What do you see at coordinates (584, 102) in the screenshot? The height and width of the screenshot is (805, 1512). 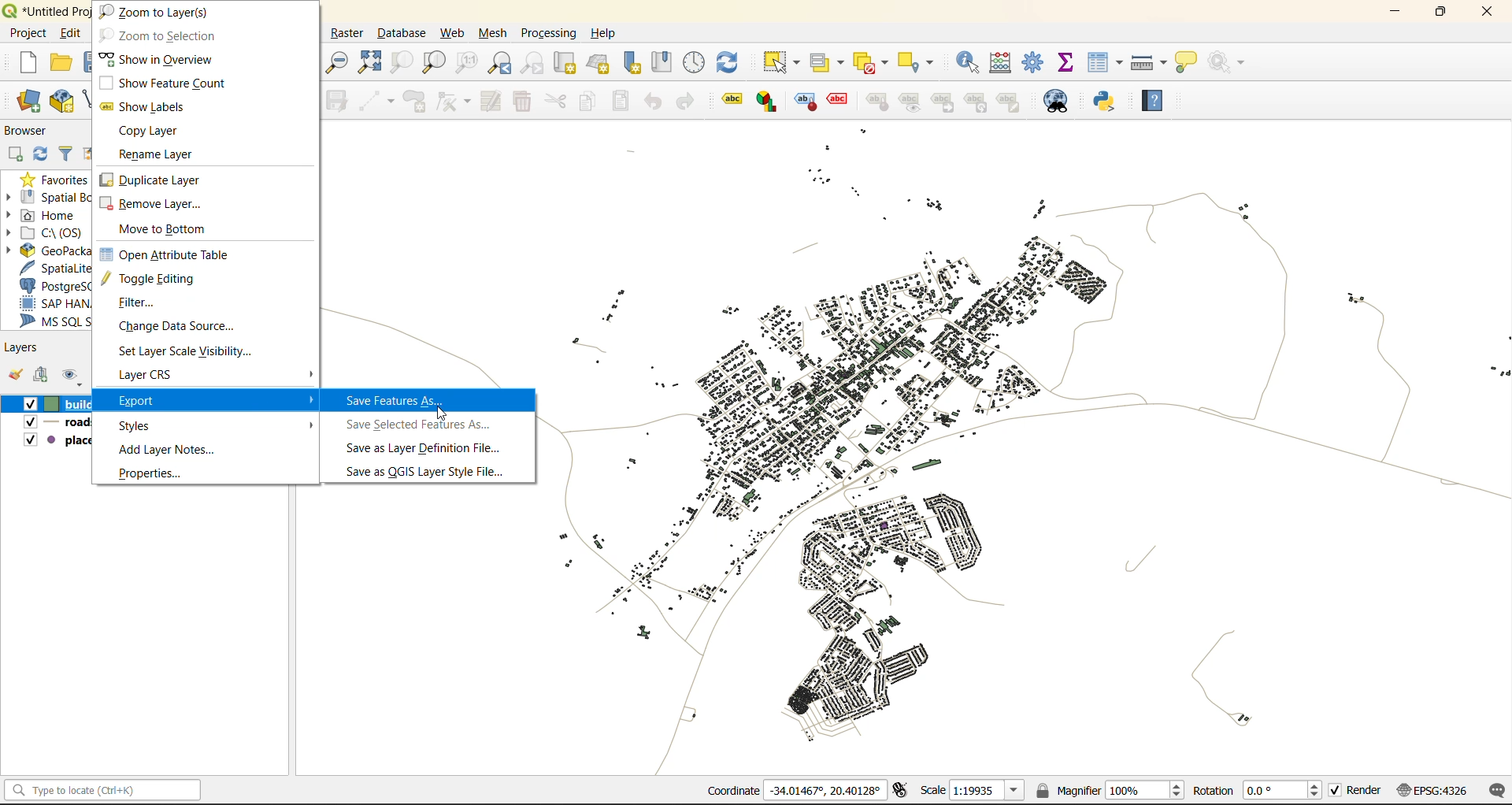 I see `copy` at bounding box center [584, 102].